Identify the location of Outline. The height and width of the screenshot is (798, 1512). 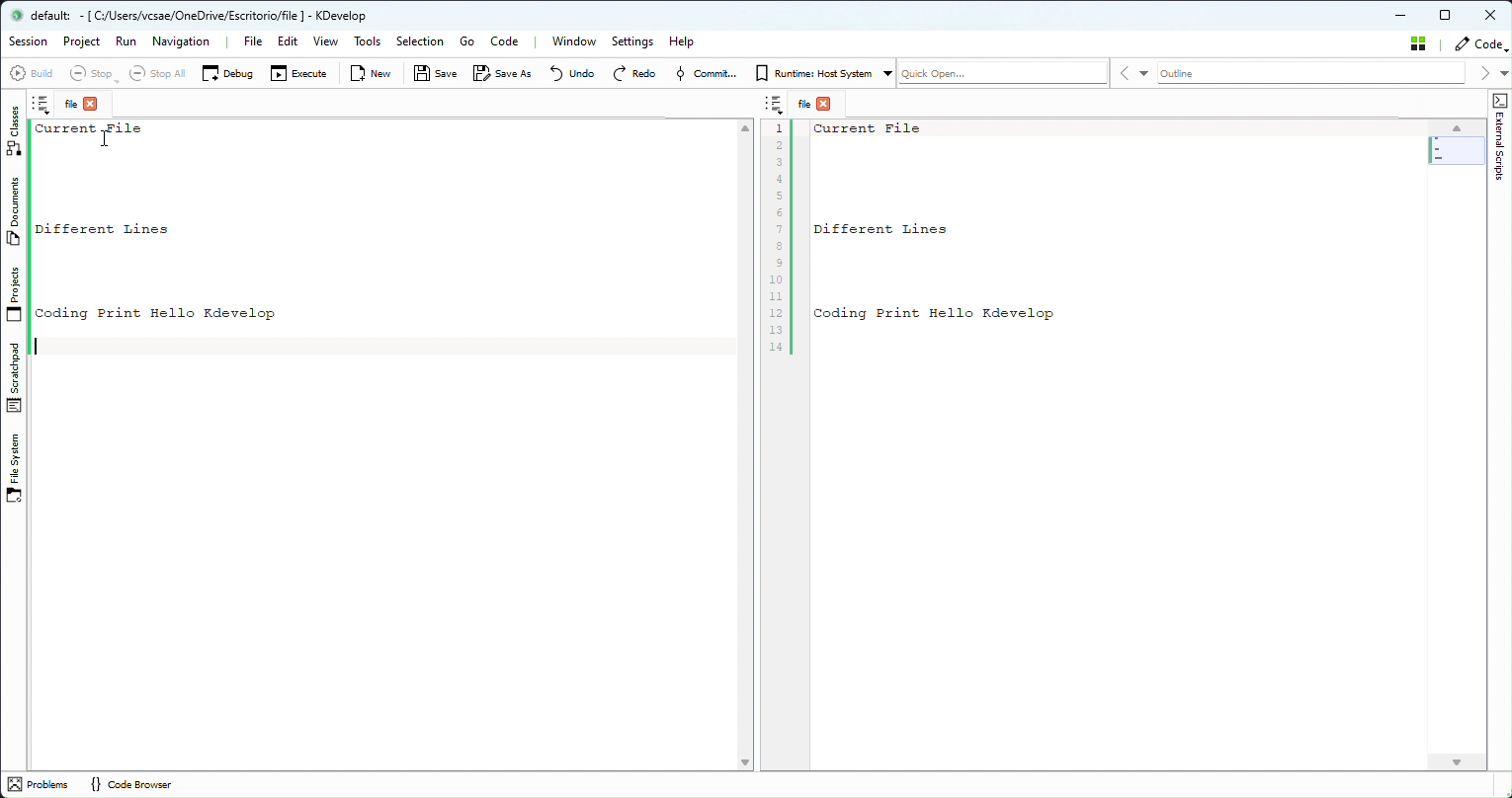
(1311, 73).